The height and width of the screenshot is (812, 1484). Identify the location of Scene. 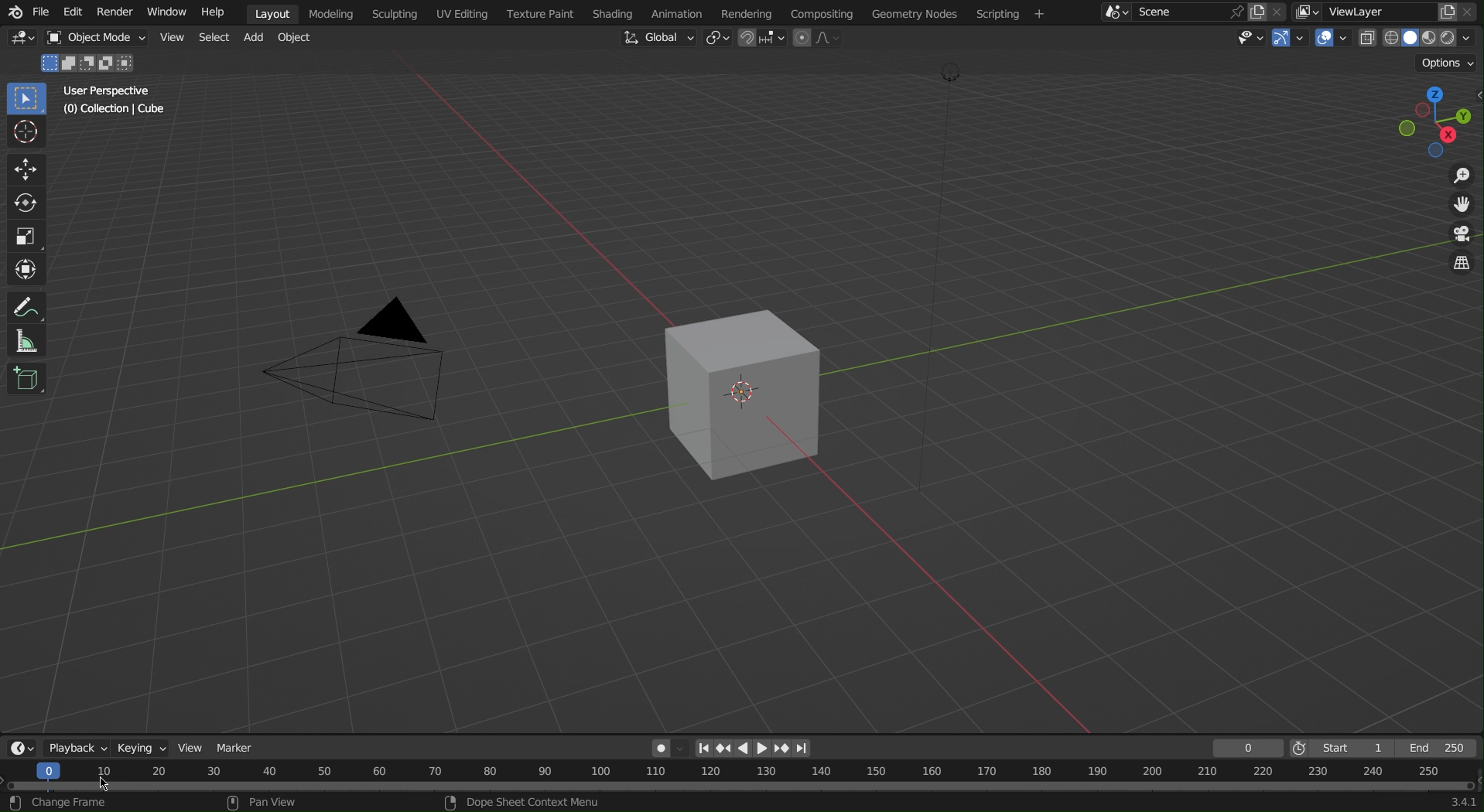
(1175, 14).